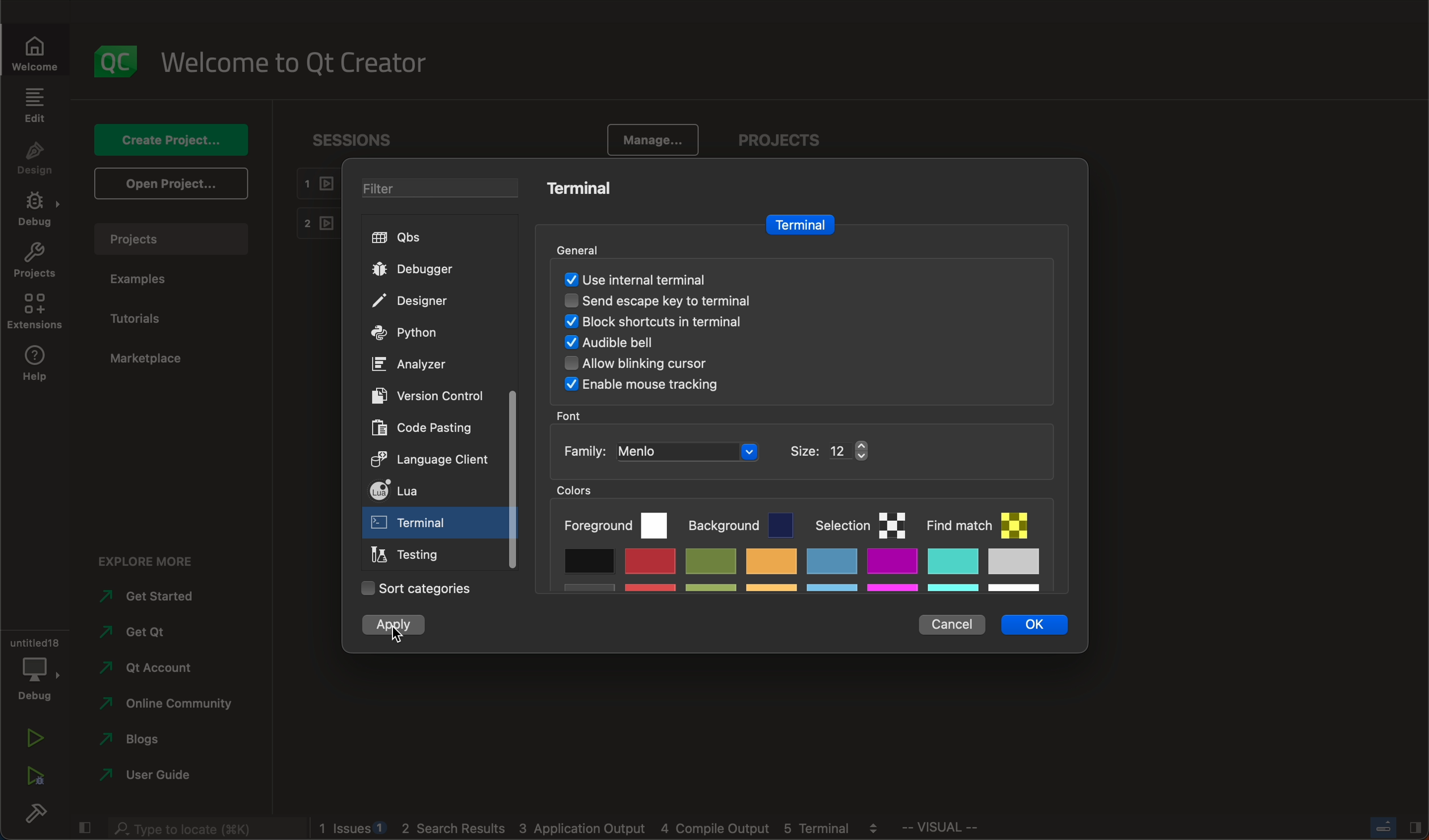 The image size is (1429, 840). I want to click on click to apply changes, so click(398, 626).